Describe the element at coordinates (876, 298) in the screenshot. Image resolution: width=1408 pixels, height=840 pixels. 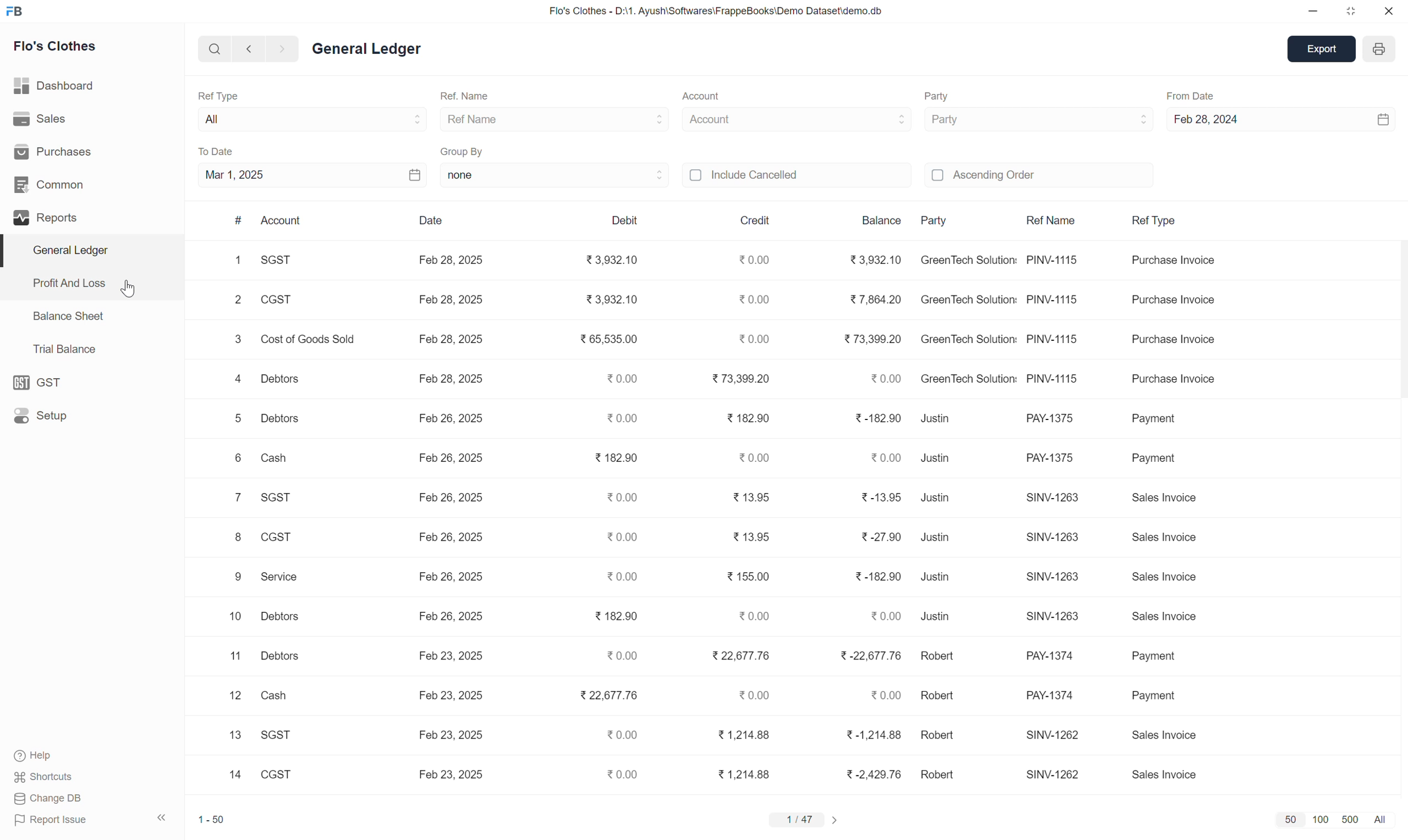
I see `₹7,864.20` at that location.